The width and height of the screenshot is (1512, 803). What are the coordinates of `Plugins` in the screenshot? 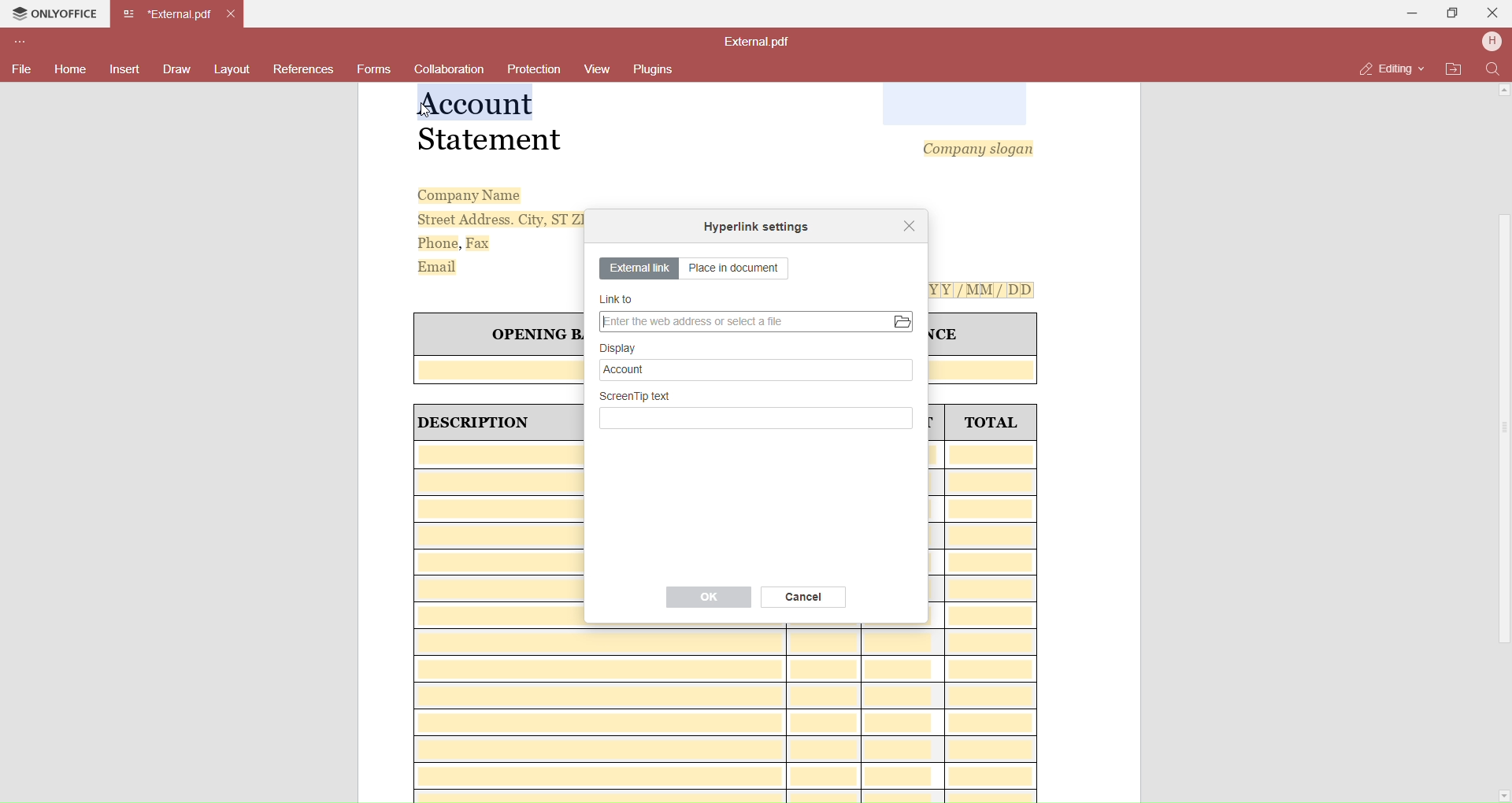 It's located at (658, 68).